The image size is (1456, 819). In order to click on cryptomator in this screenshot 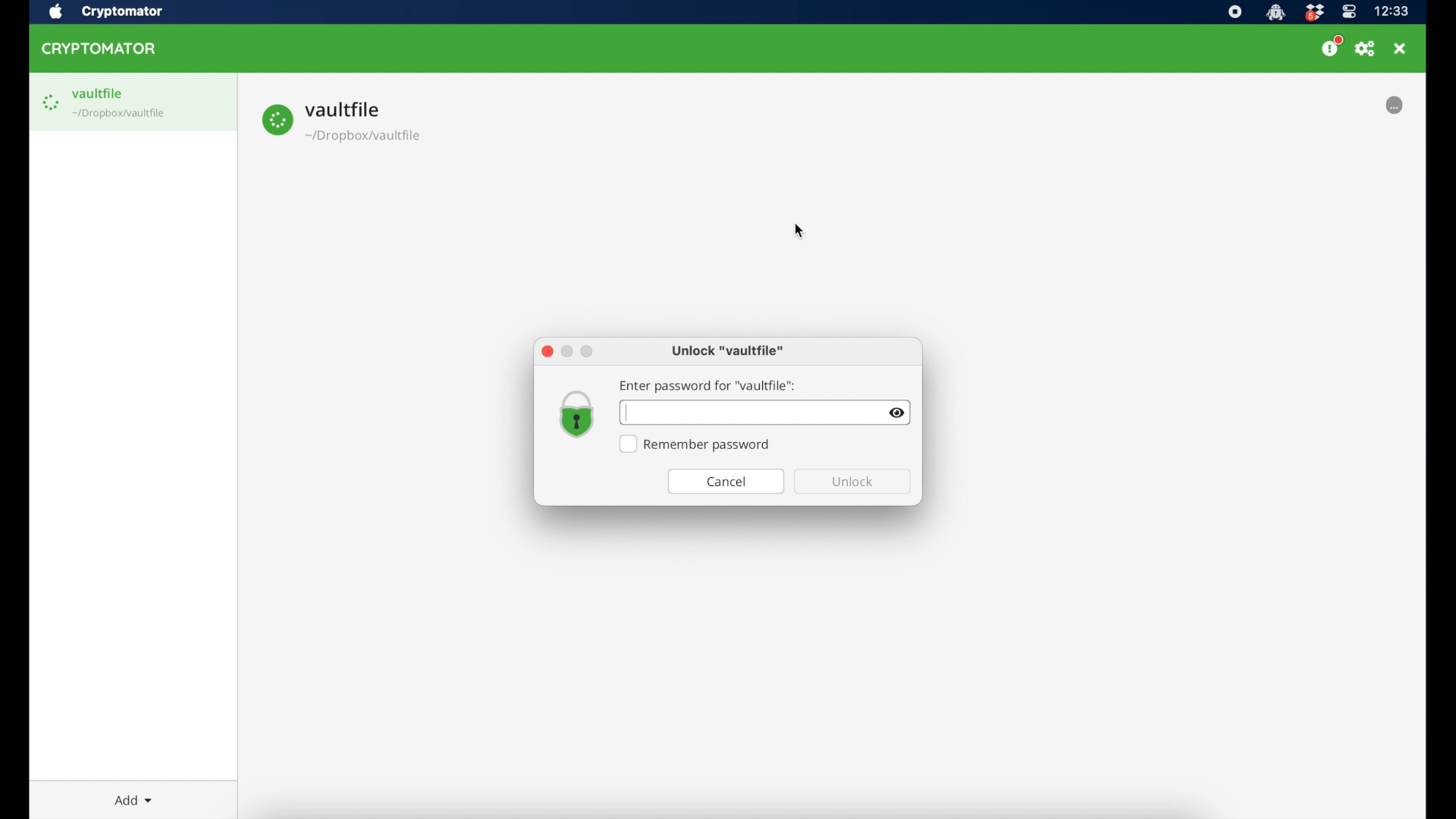, I will do `click(122, 12)`.